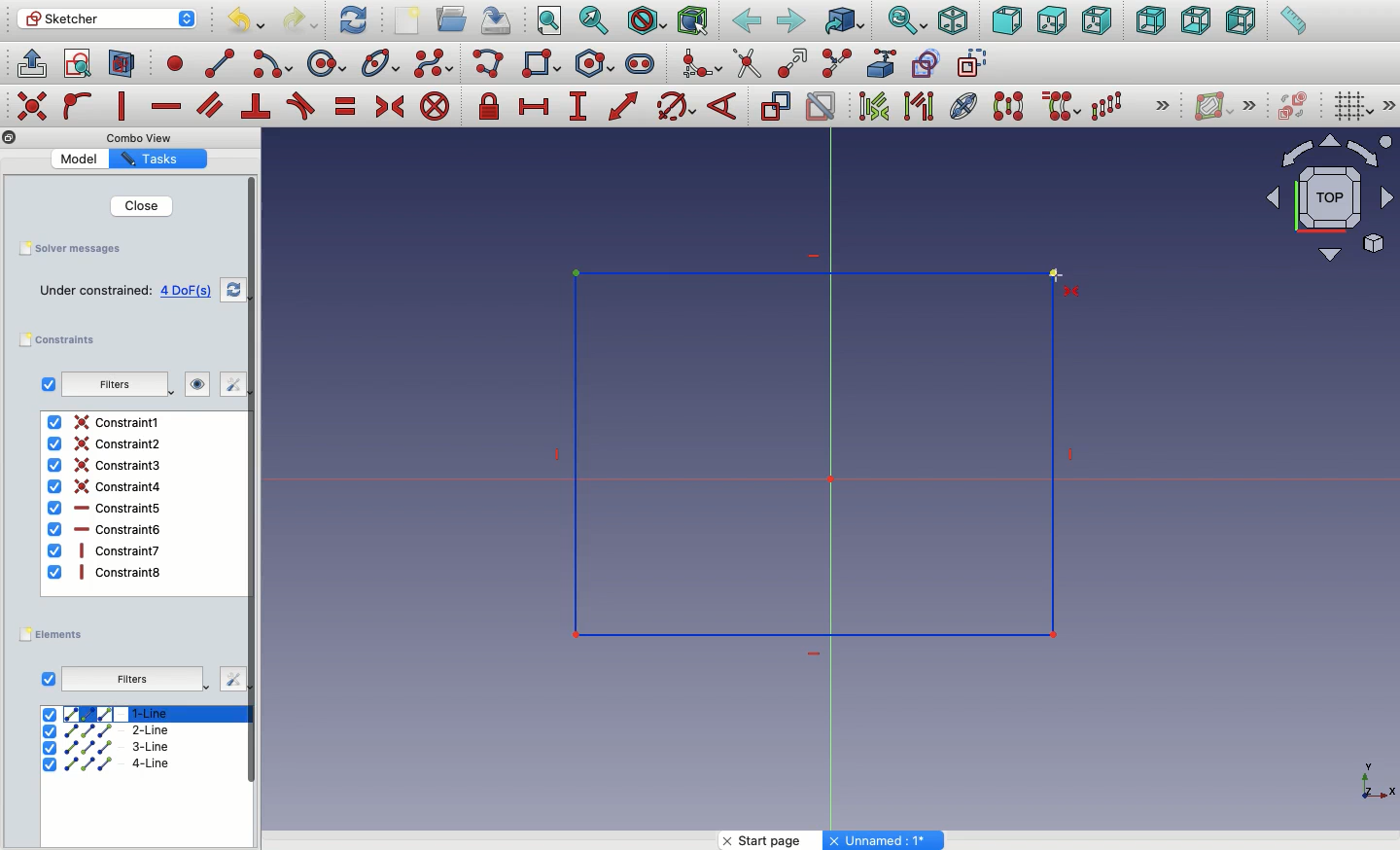  Describe the element at coordinates (748, 21) in the screenshot. I see `Back` at that location.